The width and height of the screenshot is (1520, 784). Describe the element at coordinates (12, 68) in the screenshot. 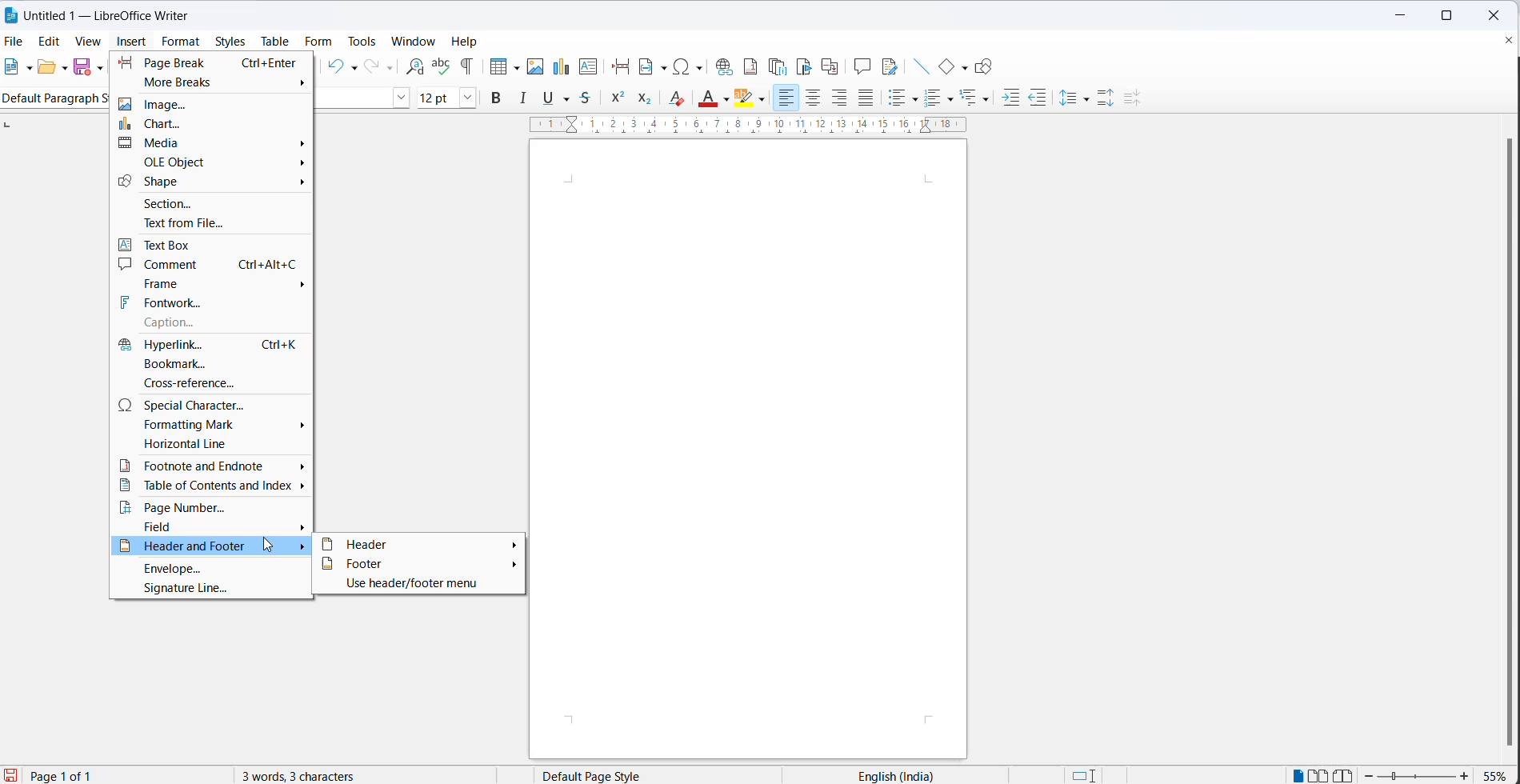

I see `new file` at that location.